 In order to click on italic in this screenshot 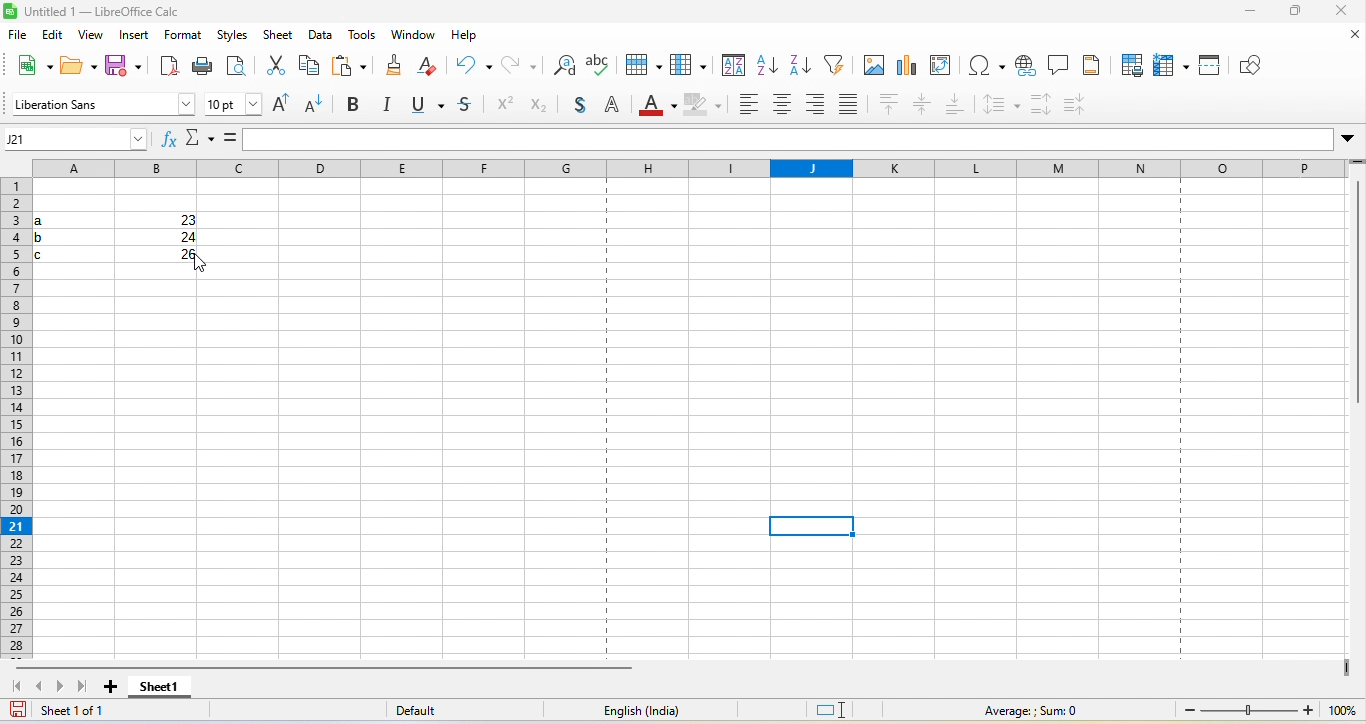, I will do `click(391, 105)`.